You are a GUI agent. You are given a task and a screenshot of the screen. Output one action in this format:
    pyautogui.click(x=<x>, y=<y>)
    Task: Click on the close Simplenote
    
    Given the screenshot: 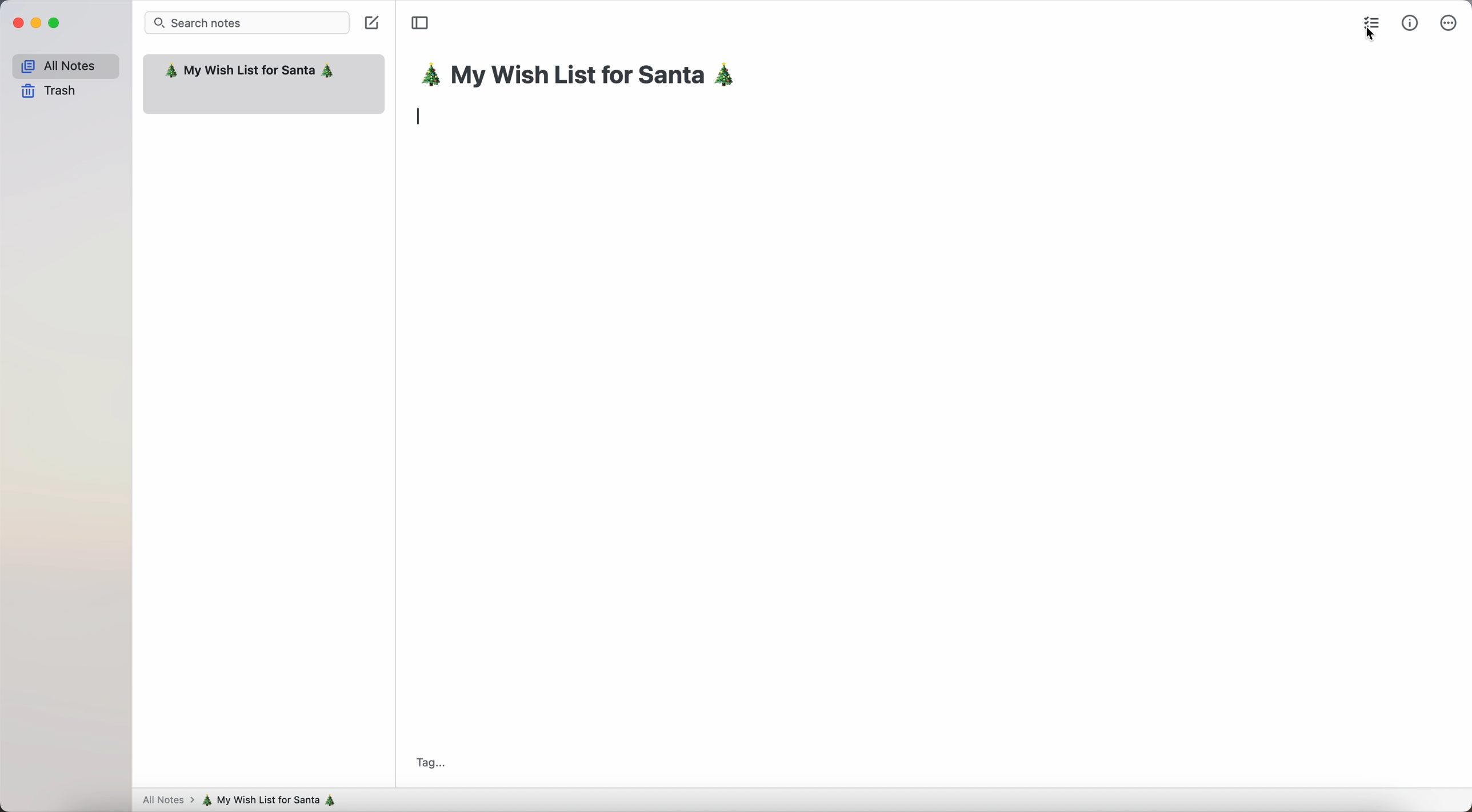 What is the action you would take?
    pyautogui.click(x=16, y=23)
    